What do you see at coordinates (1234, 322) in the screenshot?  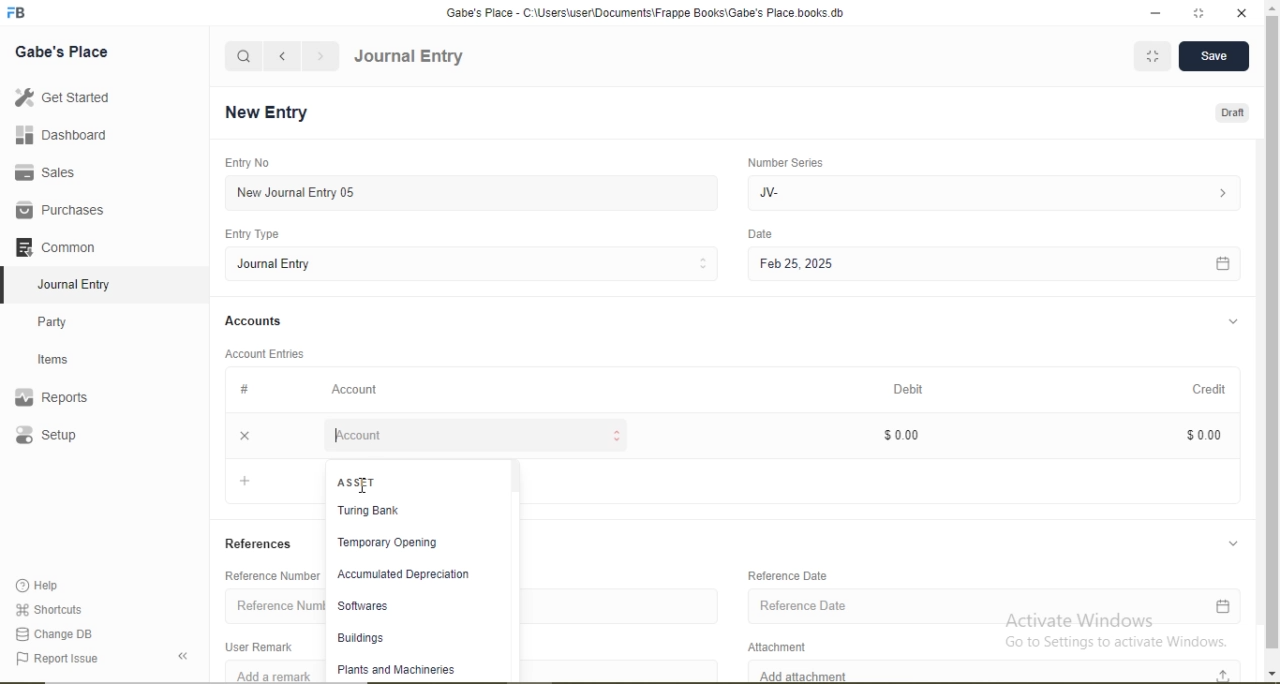 I see `collapse/expand` at bounding box center [1234, 322].